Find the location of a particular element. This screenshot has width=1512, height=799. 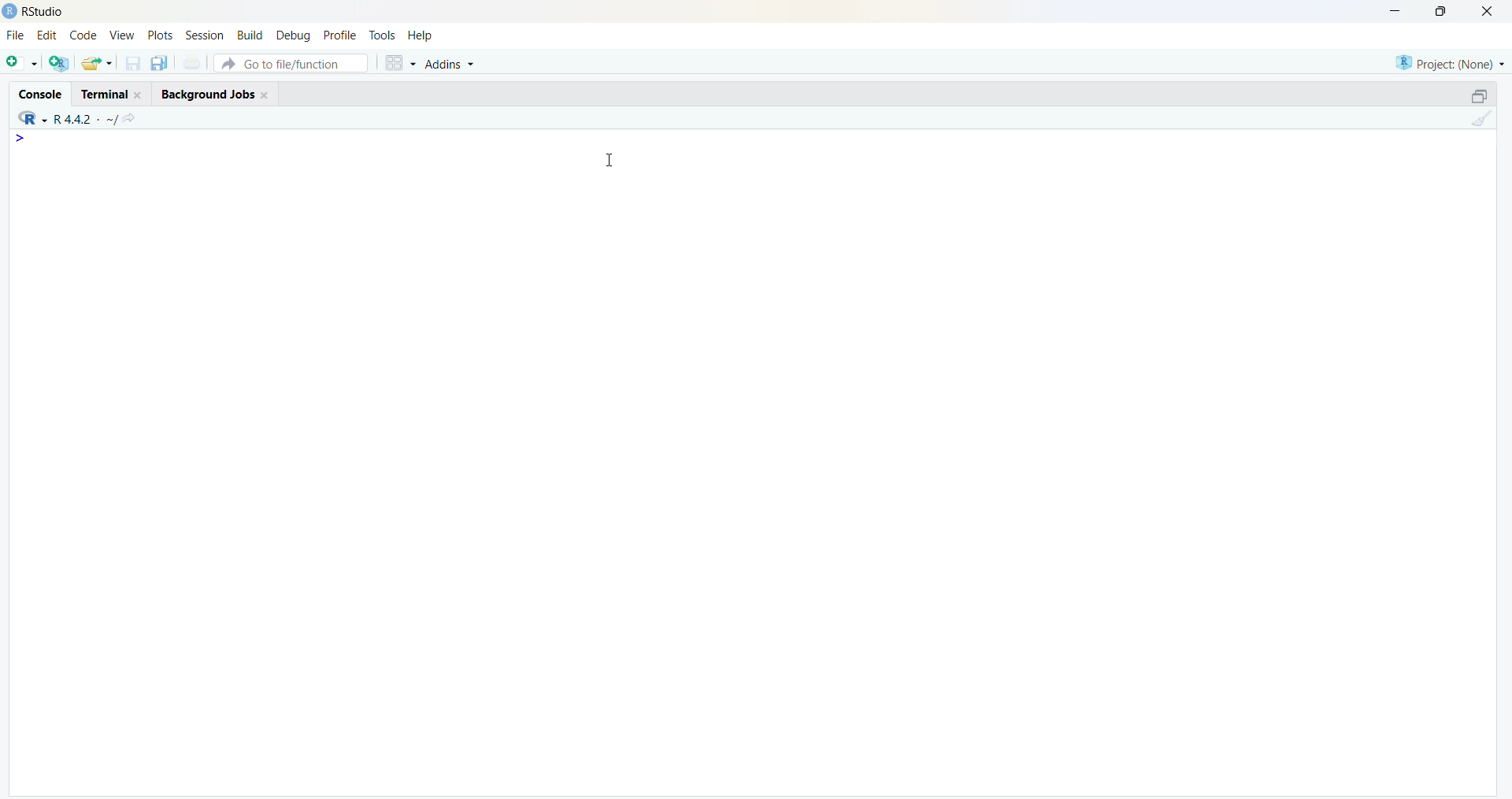

session is located at coordinates (205, 35).